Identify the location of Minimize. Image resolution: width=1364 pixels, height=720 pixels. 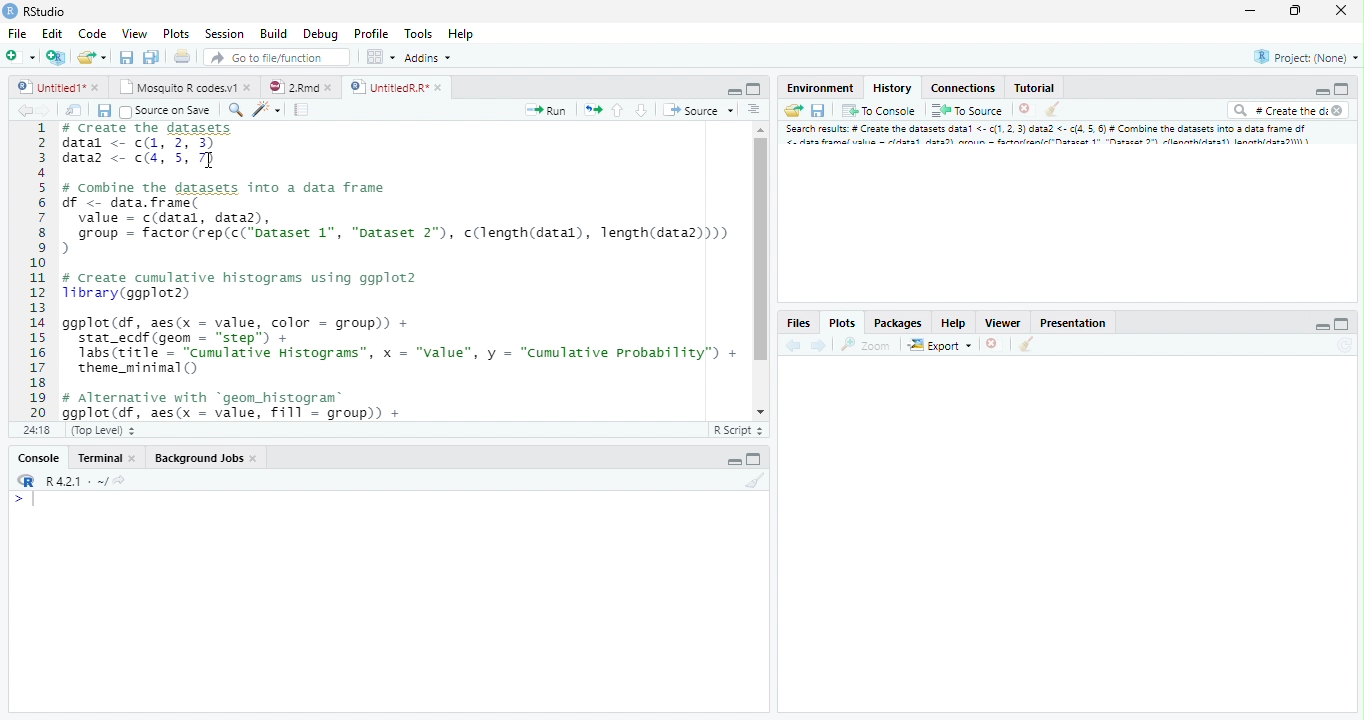
(733, 461).